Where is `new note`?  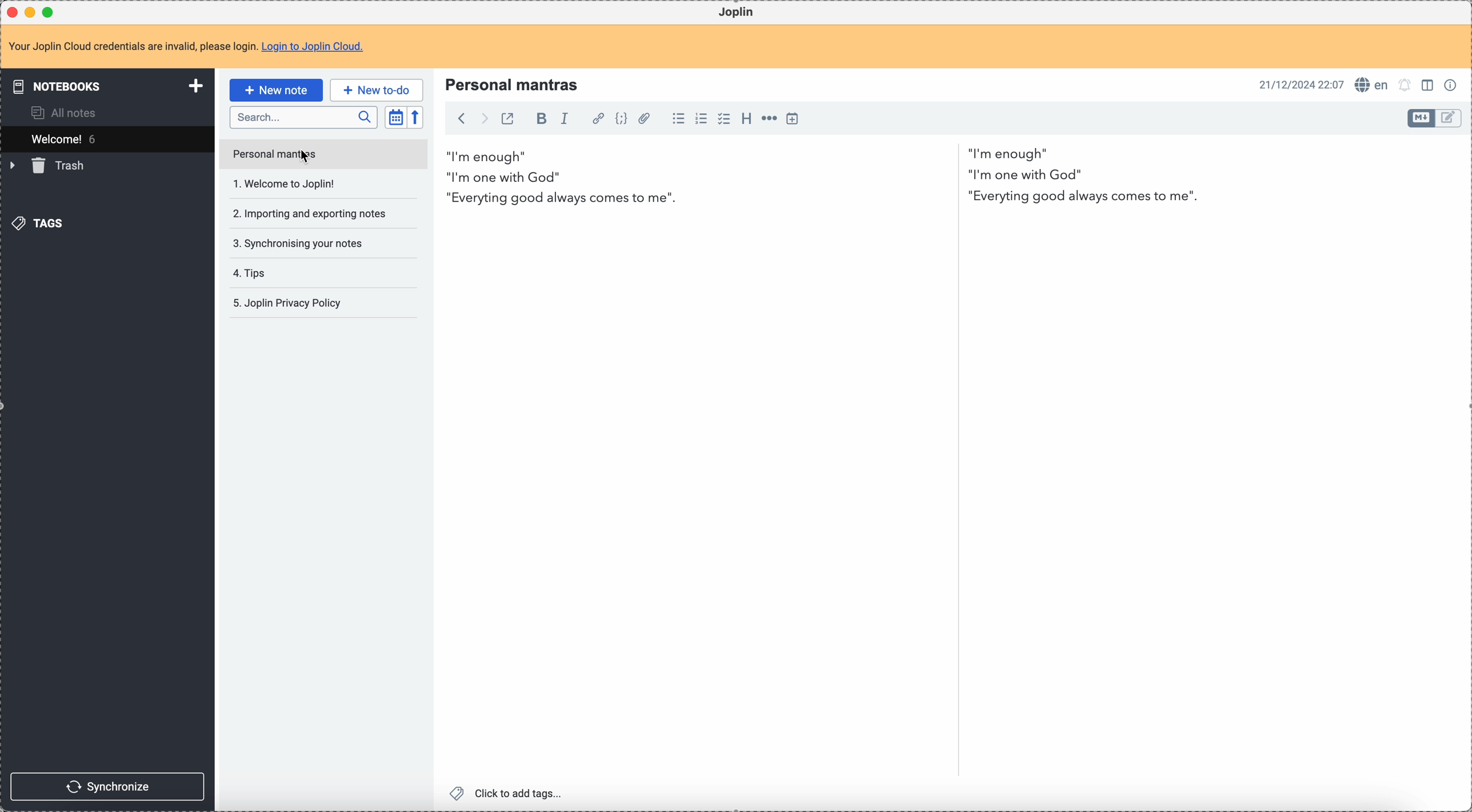 new note is located at coordinates (275, 90).